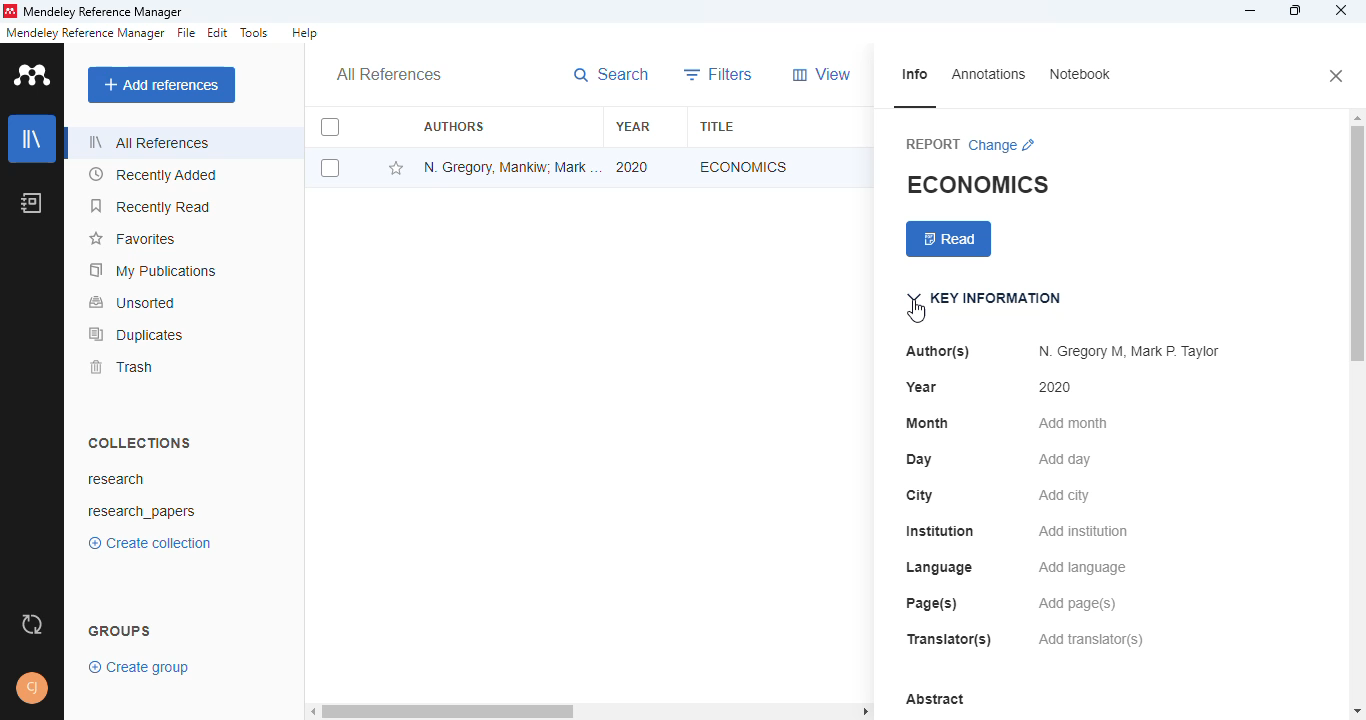  What do you see at coordinates (919, 459) in the screenshot?
I see `day` at bounding box center [919, 459].